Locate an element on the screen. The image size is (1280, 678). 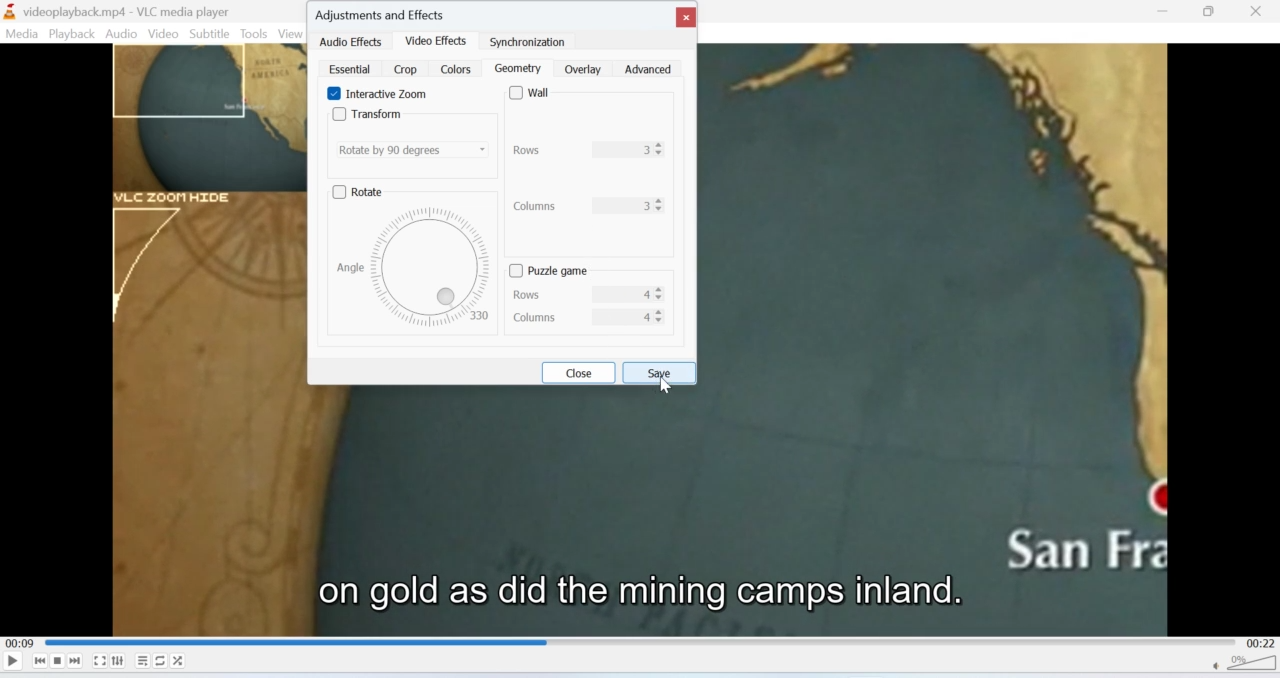
Play/Pause is located at coordinates (13, 660).